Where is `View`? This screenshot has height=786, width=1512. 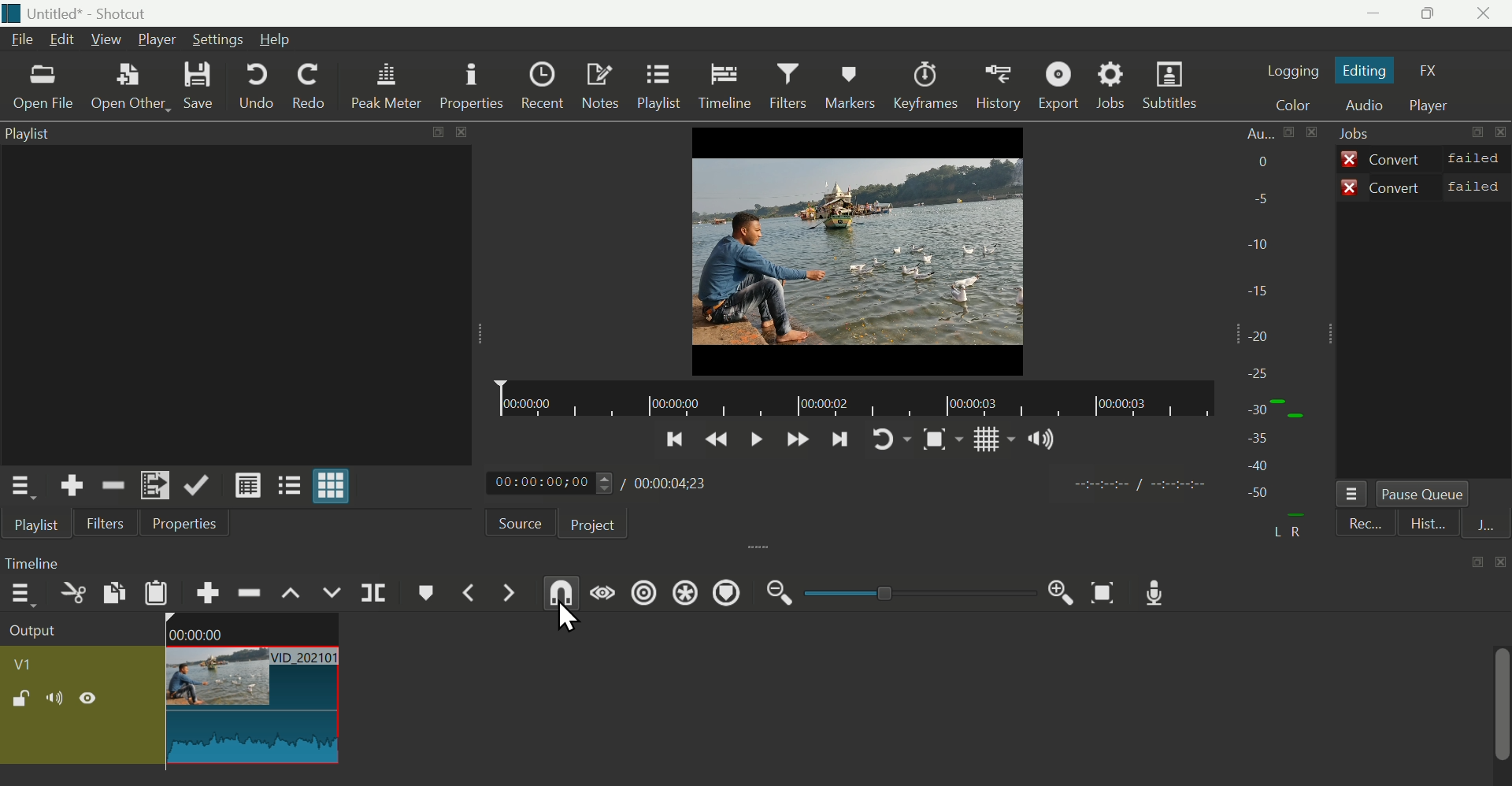 View is located at coordinates (105, 38).